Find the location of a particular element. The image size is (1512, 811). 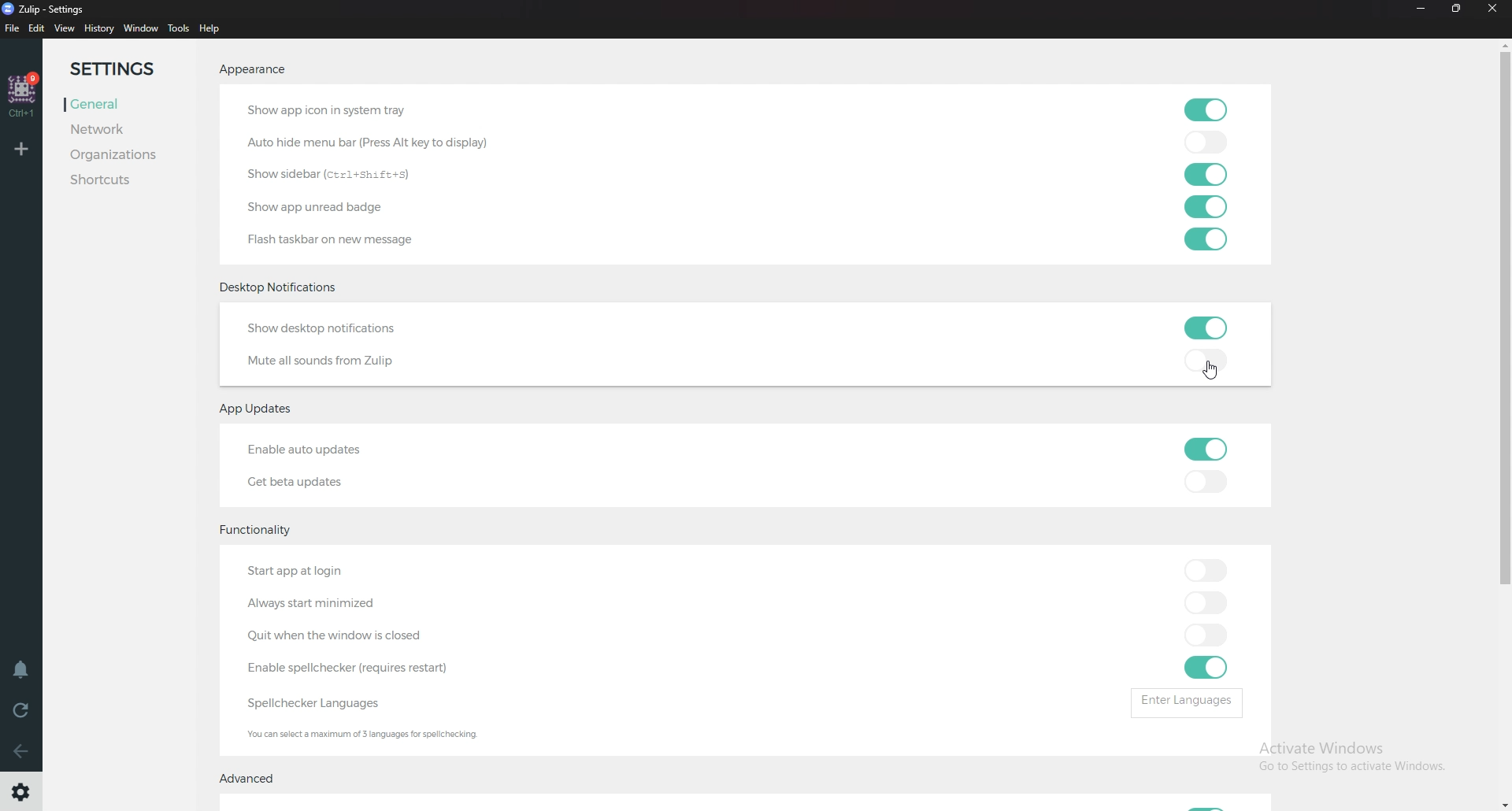

enable Spell Checker is located at coordinates (358, 668).